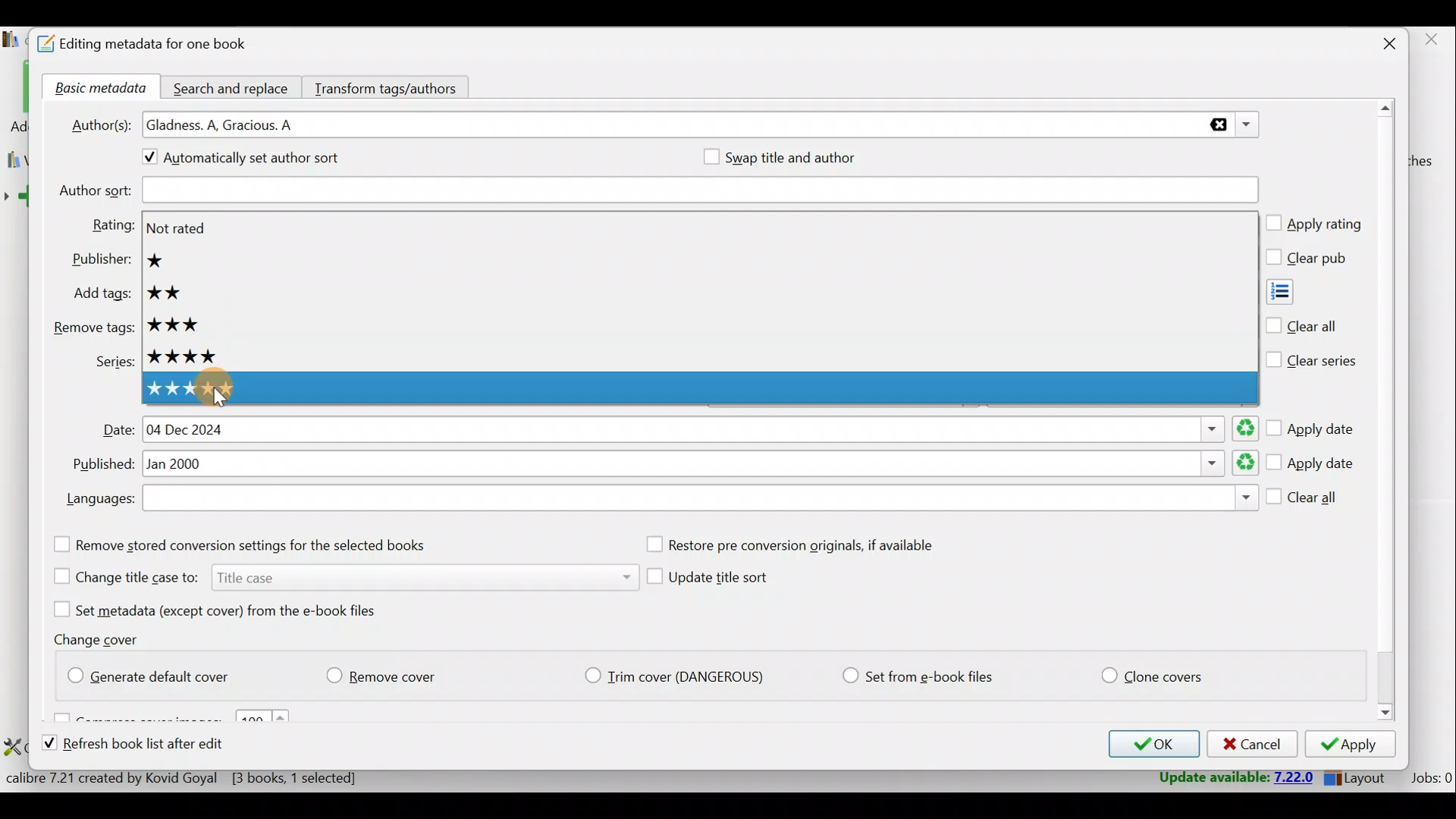  I want to click on Transform tags/authors, so click(392, 86).